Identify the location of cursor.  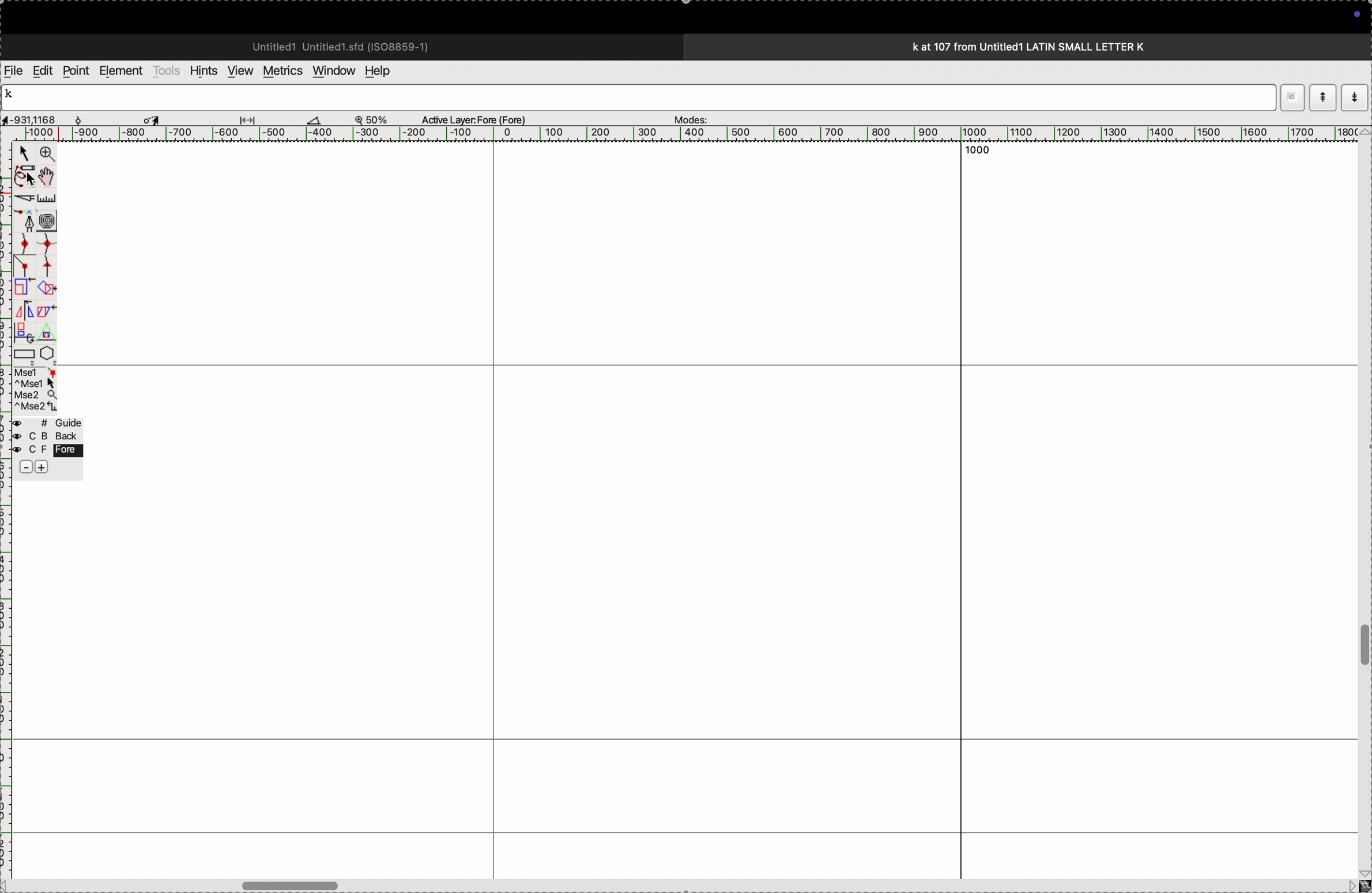
(25, 153).